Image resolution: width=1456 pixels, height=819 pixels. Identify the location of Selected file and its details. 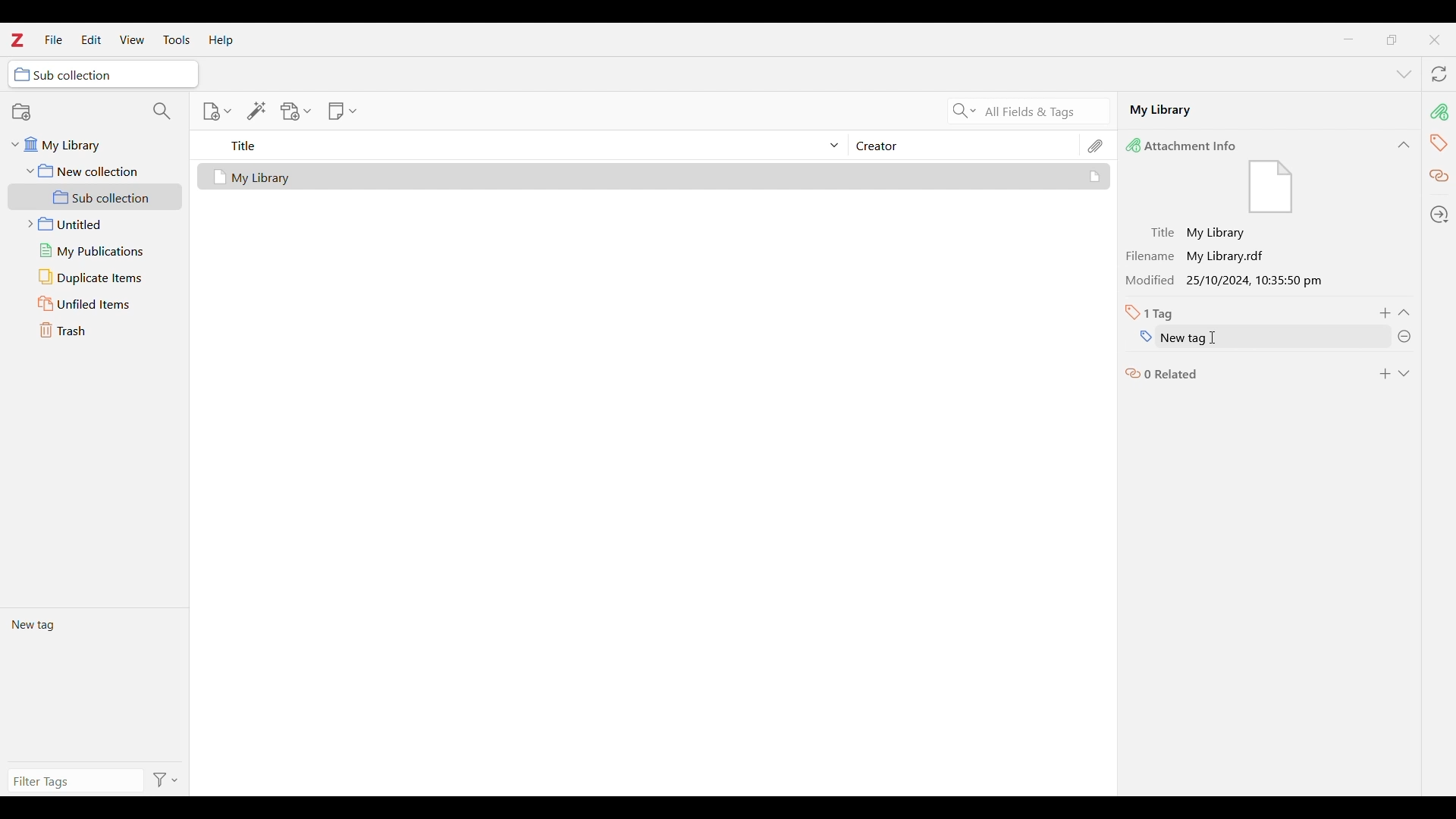
(654, 177).